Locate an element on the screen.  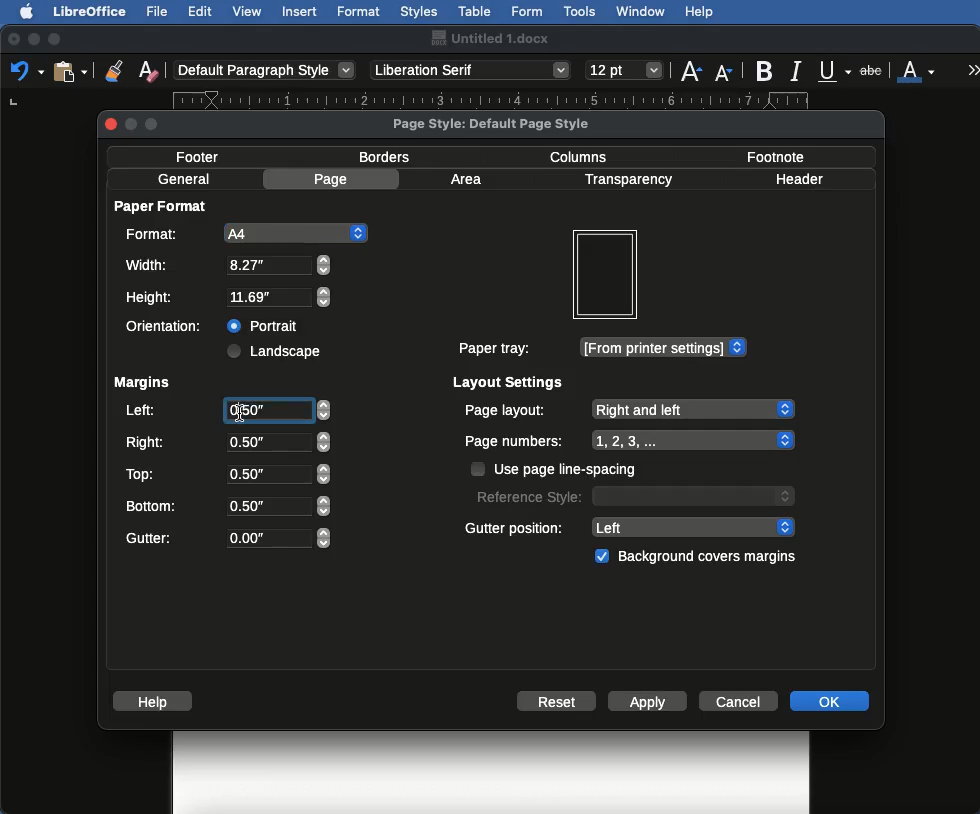
Portrait is located at coordinates (265, 323).